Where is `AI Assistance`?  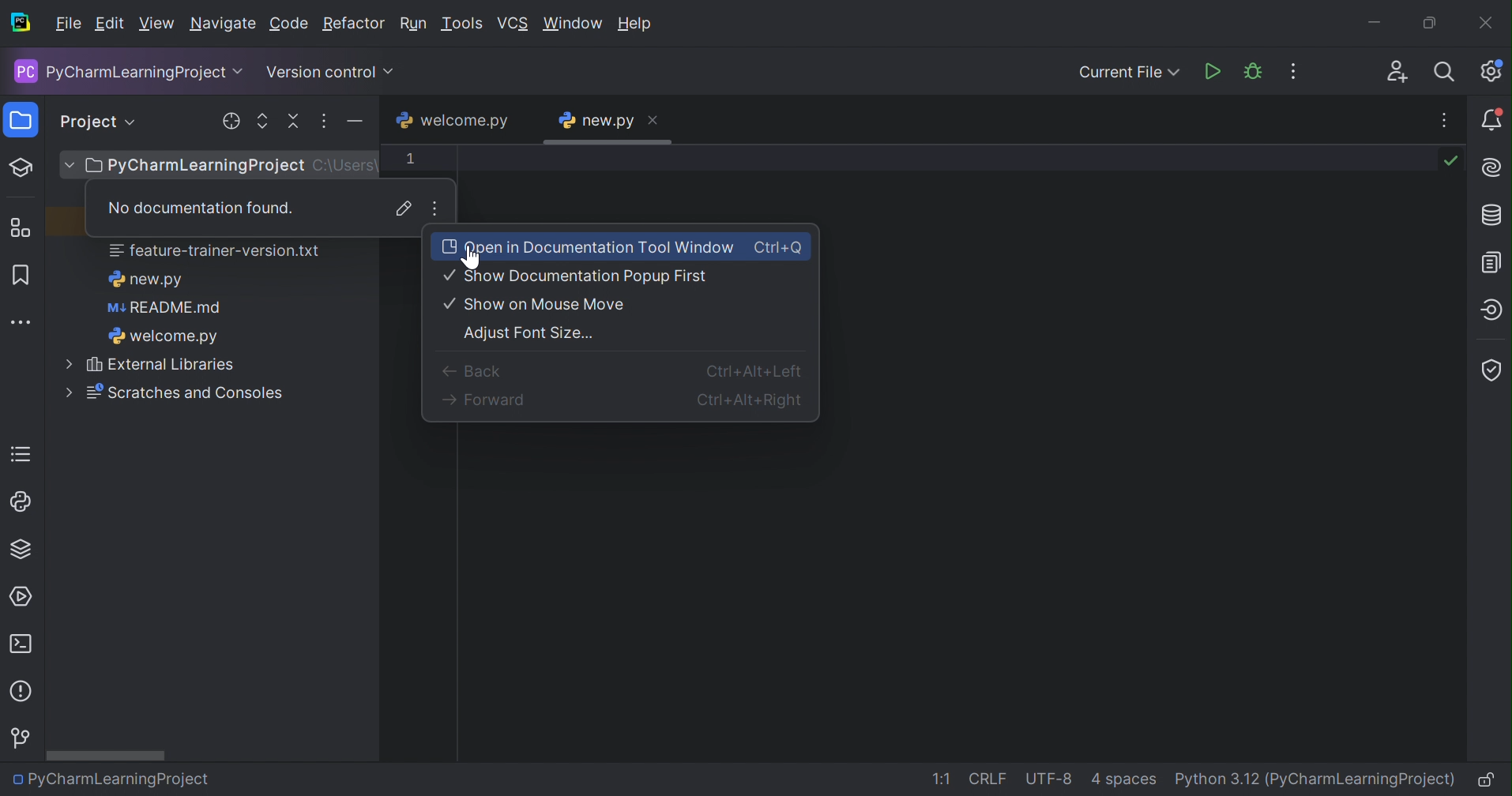
AI Assistance is located at coordinates (1494, 168).